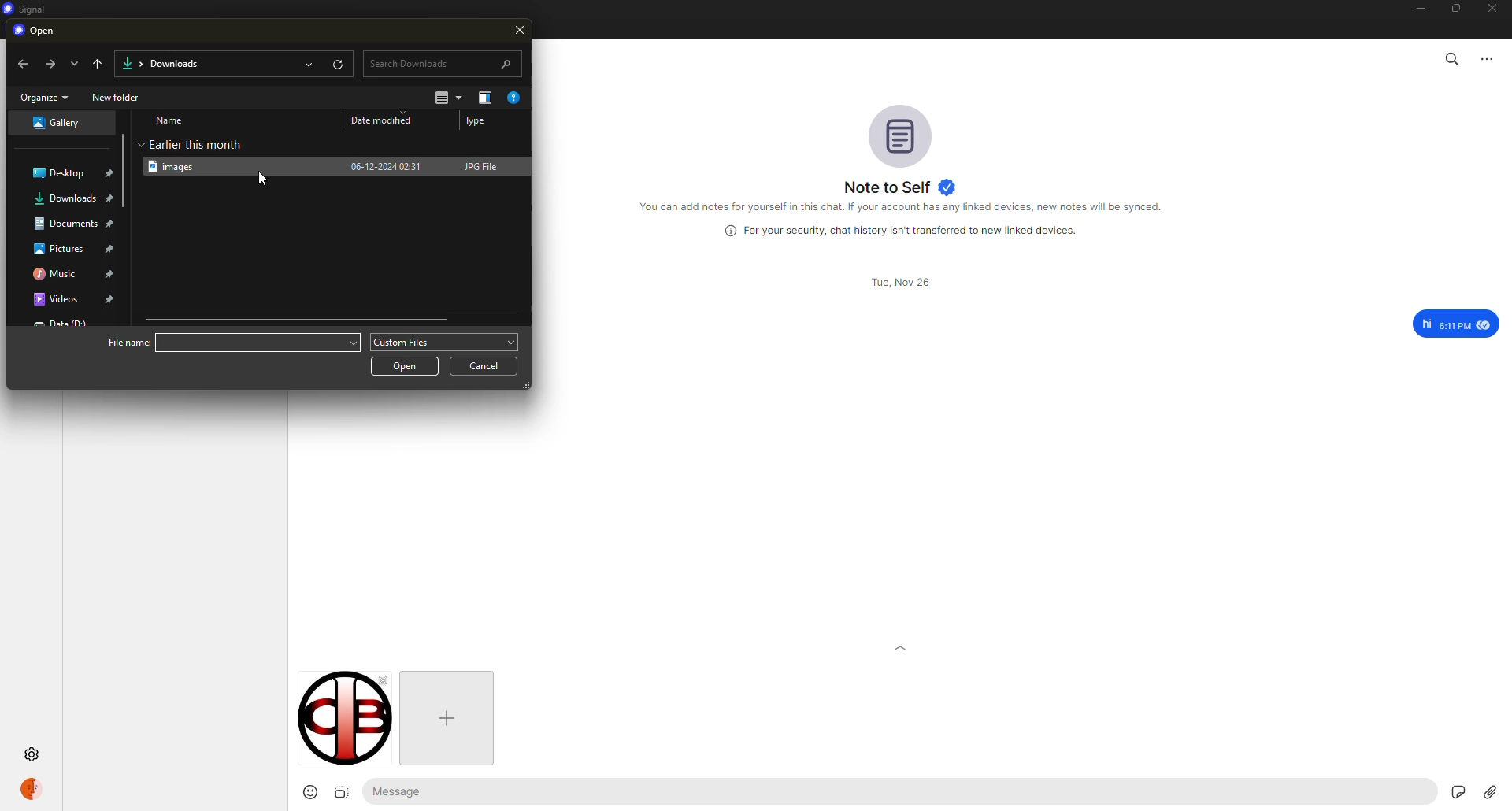 Image resolution: width=1512 pixels, height=811 pixels. Describe the element at coordinates (901, 648) in the screenshot. I see `expand` at that location.